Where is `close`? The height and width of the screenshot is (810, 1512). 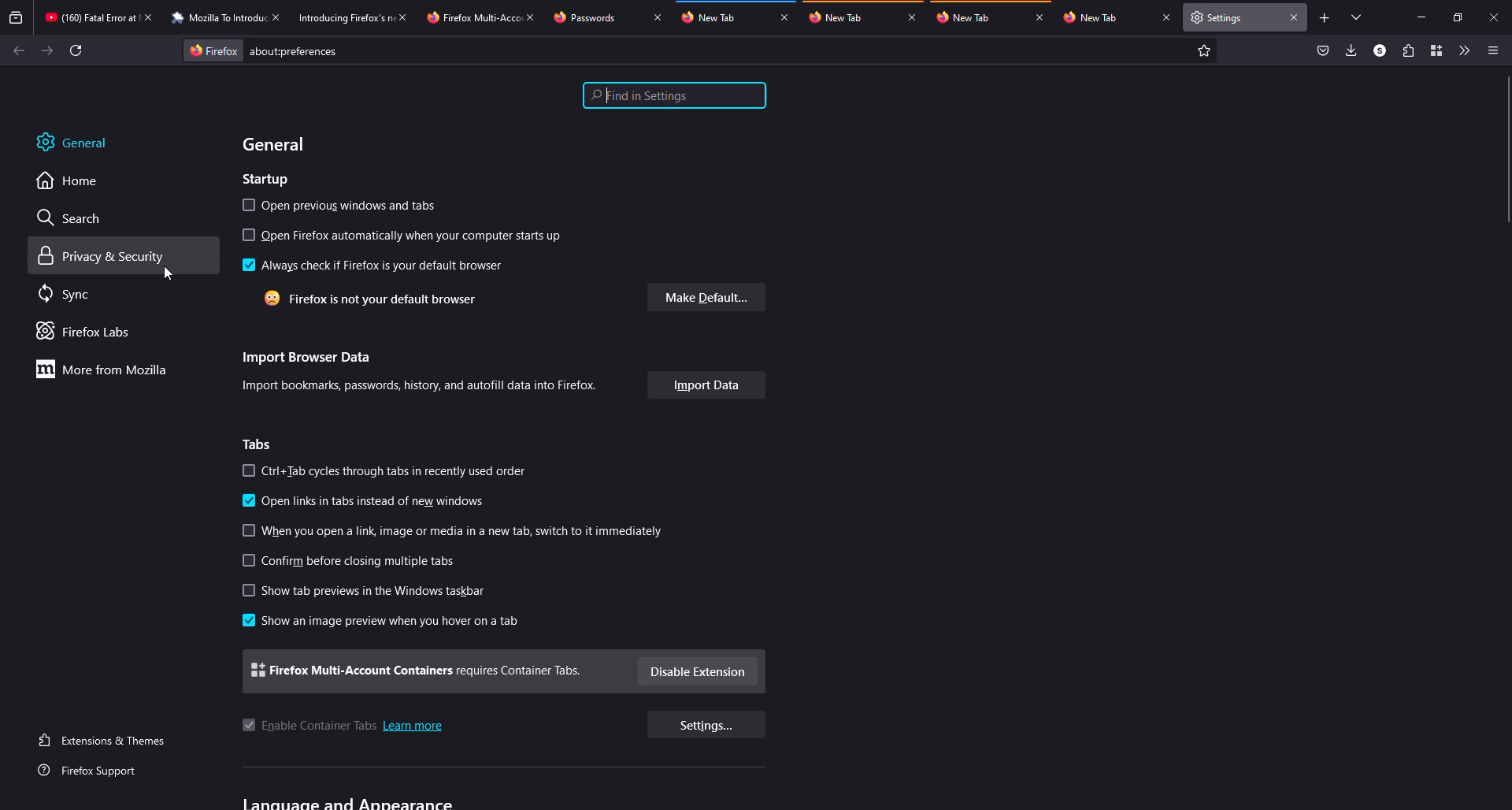
close is located at coordinates (407, 17).